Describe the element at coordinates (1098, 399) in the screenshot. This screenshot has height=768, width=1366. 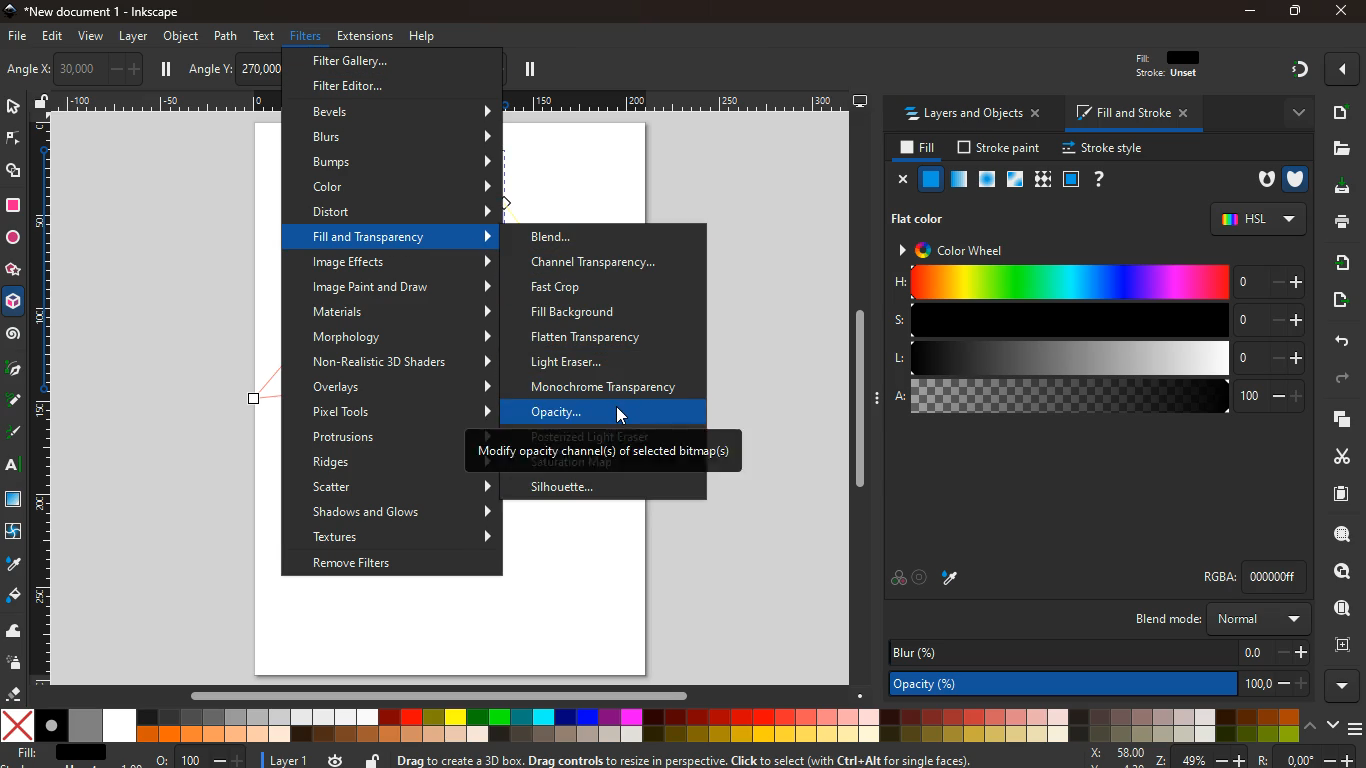
I see `a` at that location.